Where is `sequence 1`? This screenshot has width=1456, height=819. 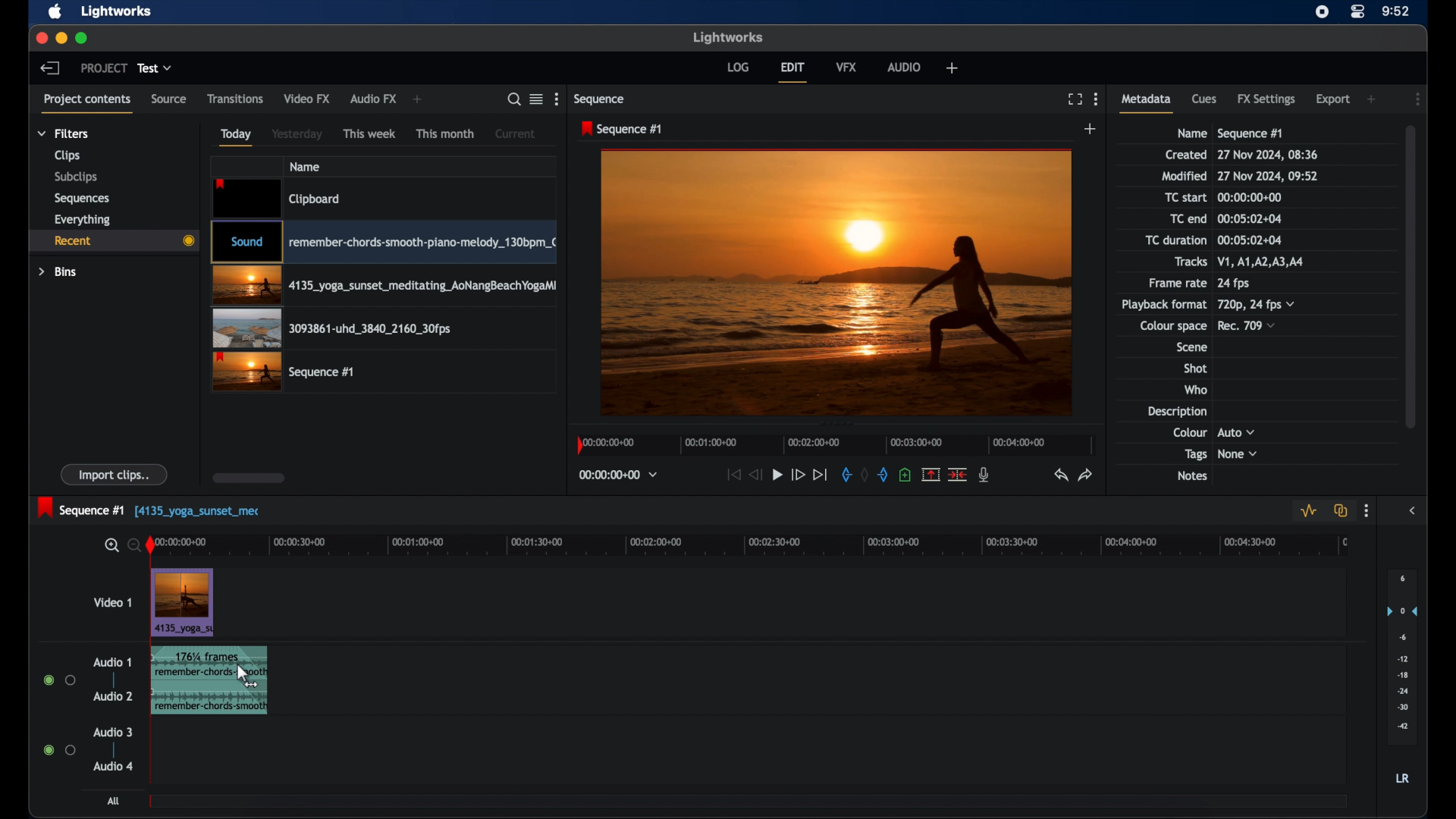
sequence 1 is located at coordinates (150, 508).